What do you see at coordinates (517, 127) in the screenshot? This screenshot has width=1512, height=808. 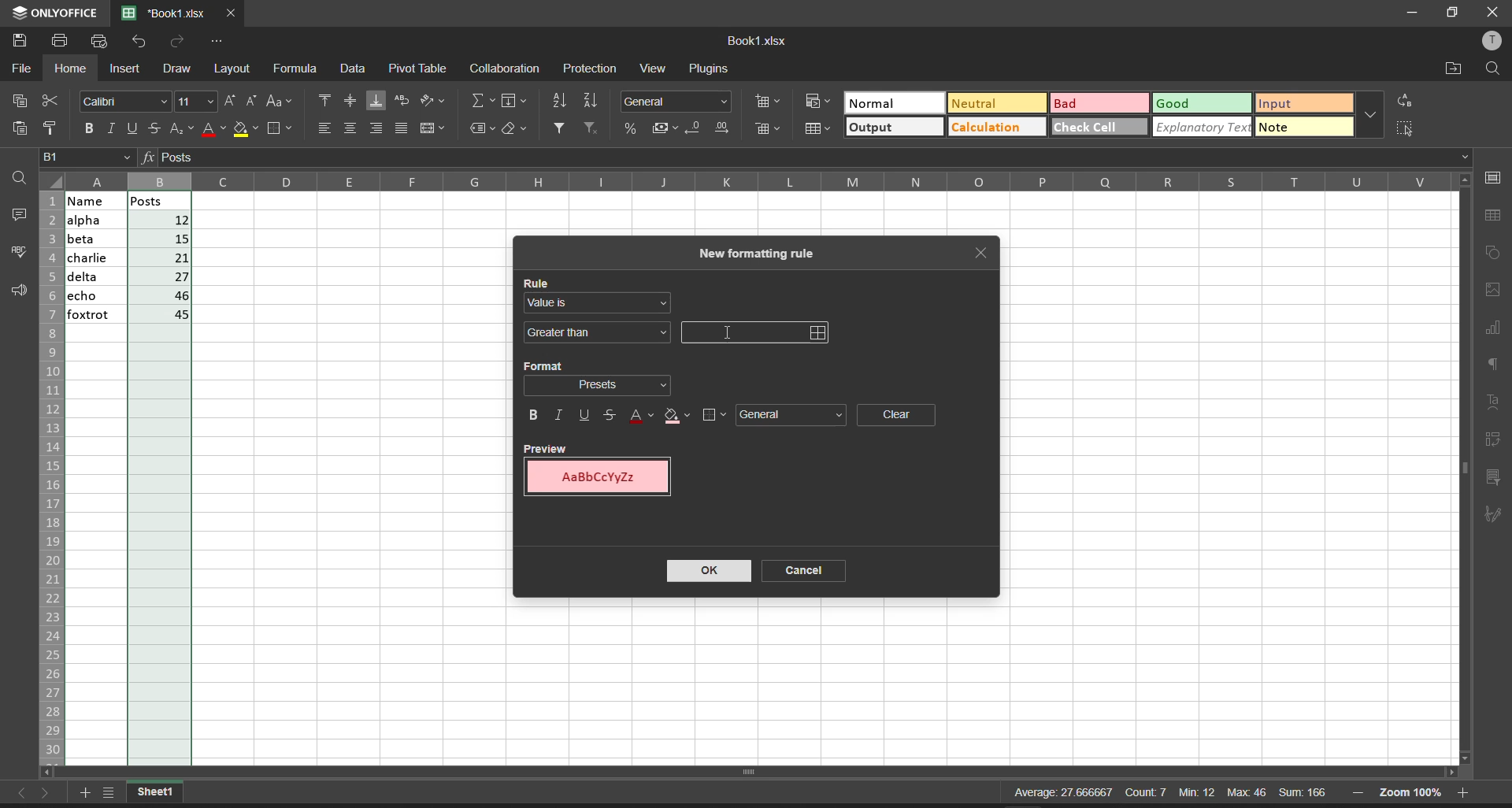 I see `clear` at bounding box center [517, 127].